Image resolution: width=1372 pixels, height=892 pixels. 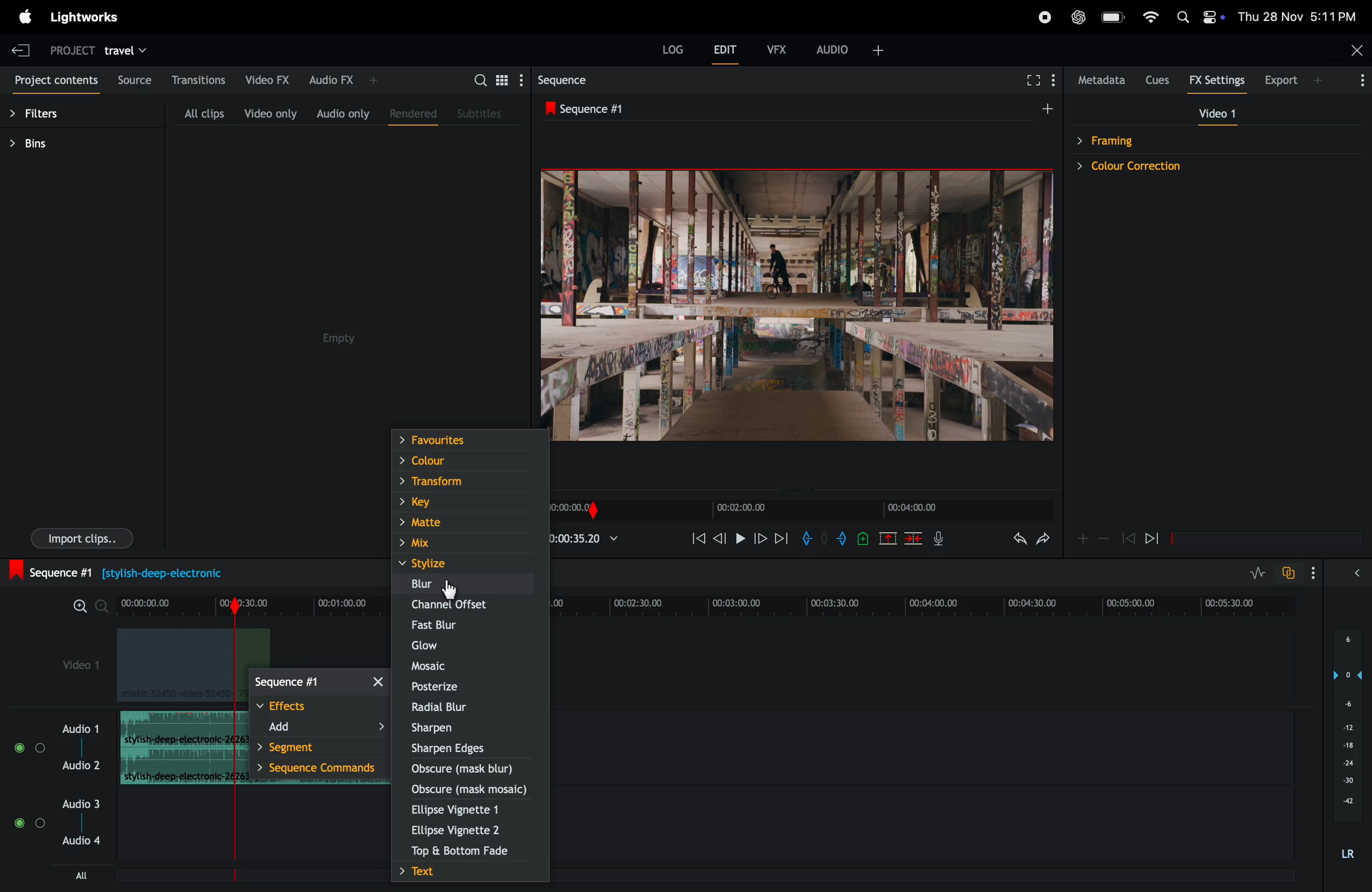 I want to click on audio fx, so click(x=351, y=77).